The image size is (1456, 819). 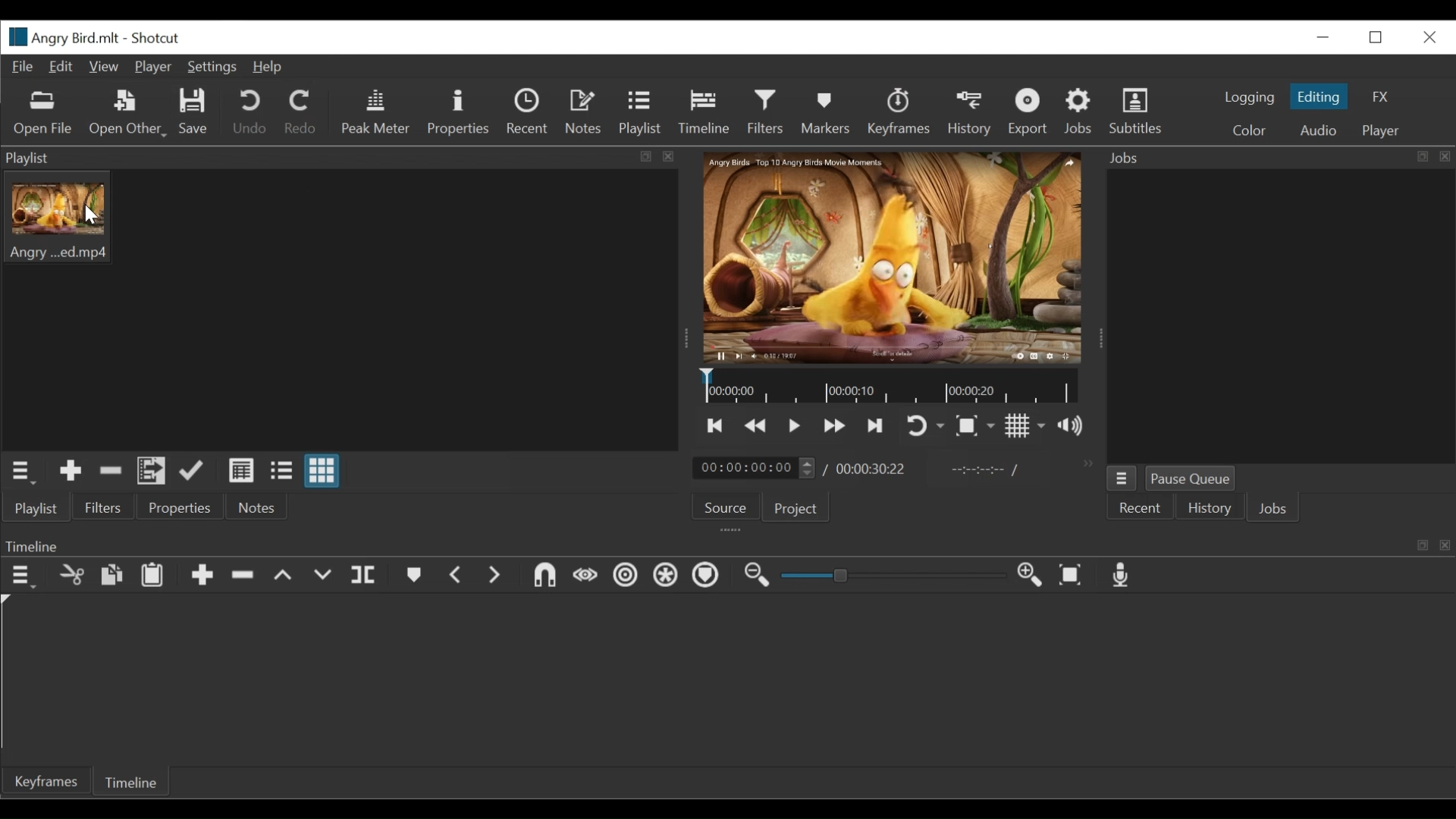 I want to click on View as detail, so click(x=242, y=471).